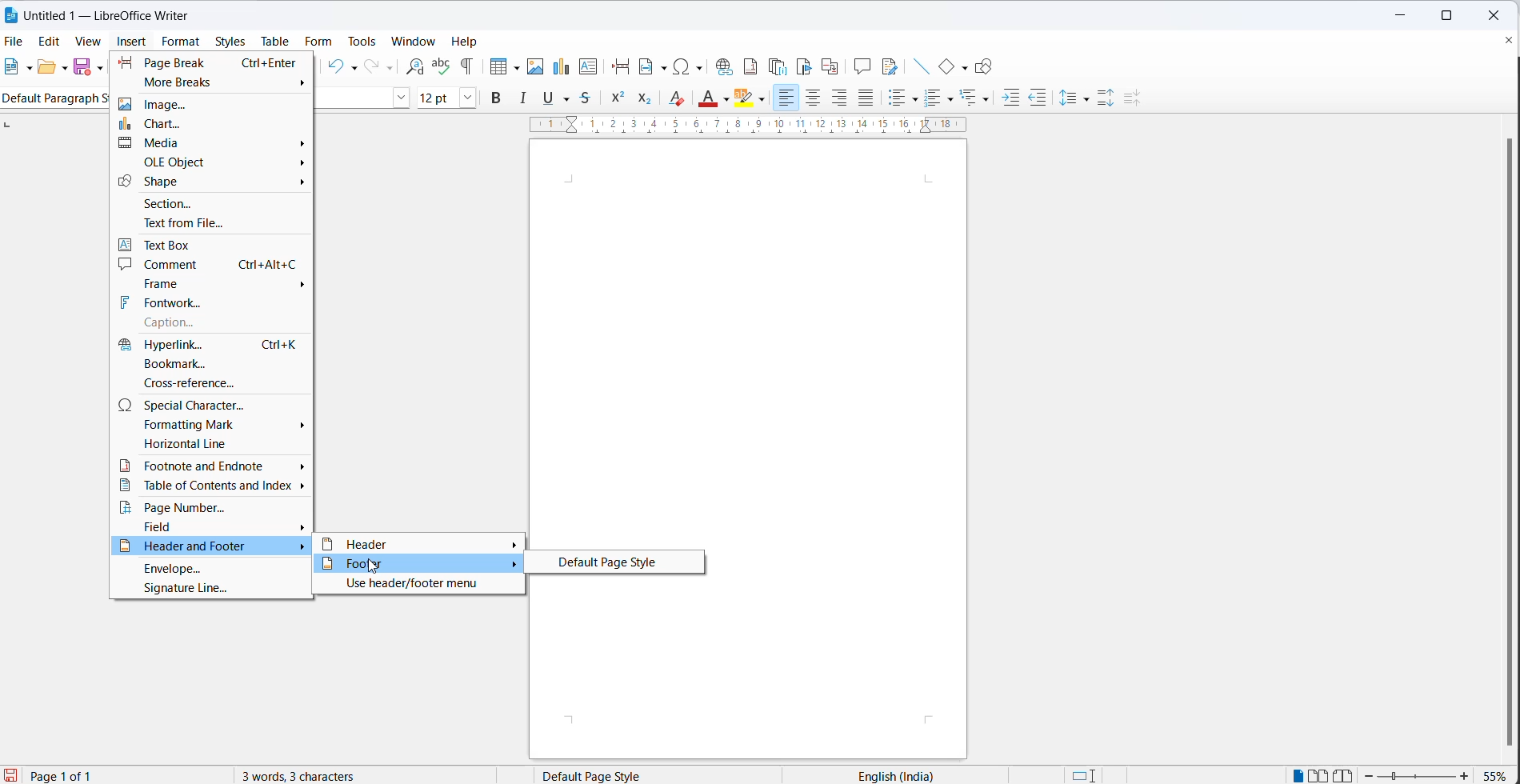 This screenshot has height=784, width=1520. Describe the element at coordinates (464, 67) in the screenshot. I see `toggle formatting marks` at that location.